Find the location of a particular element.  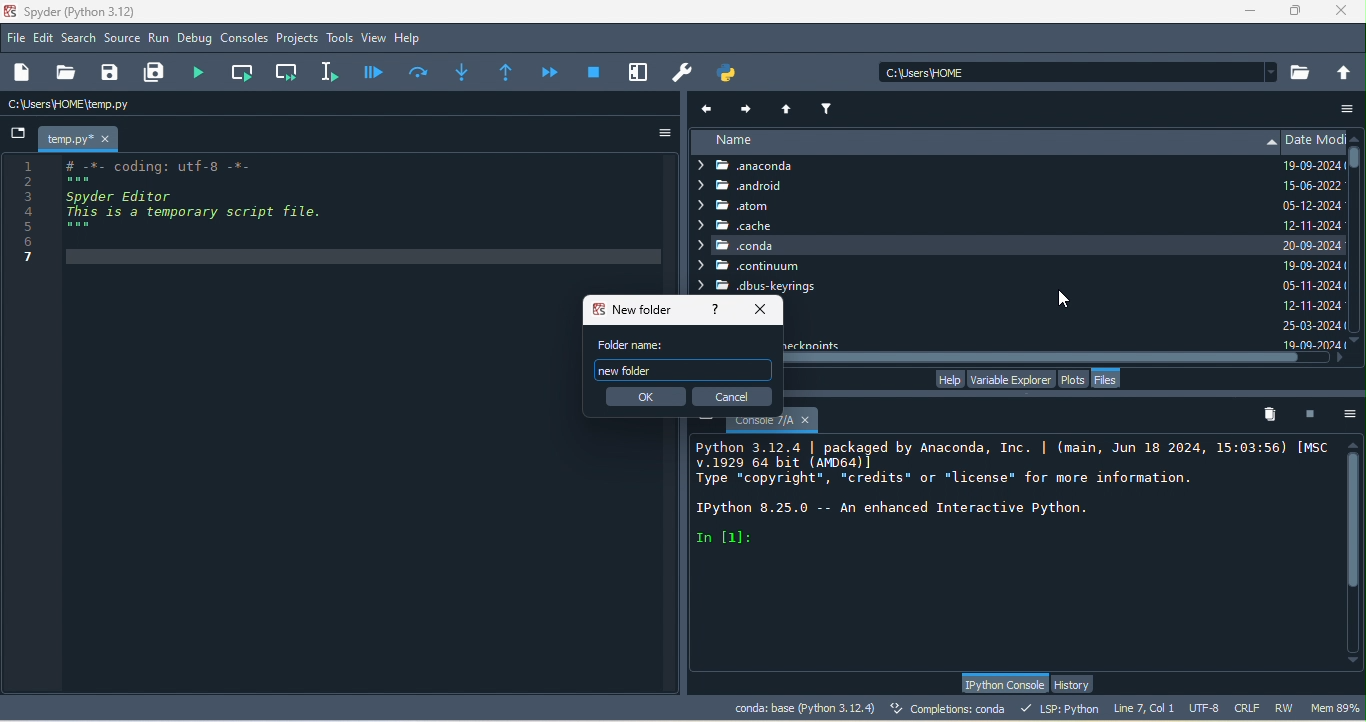

options is located at coordinates (1351, 413).